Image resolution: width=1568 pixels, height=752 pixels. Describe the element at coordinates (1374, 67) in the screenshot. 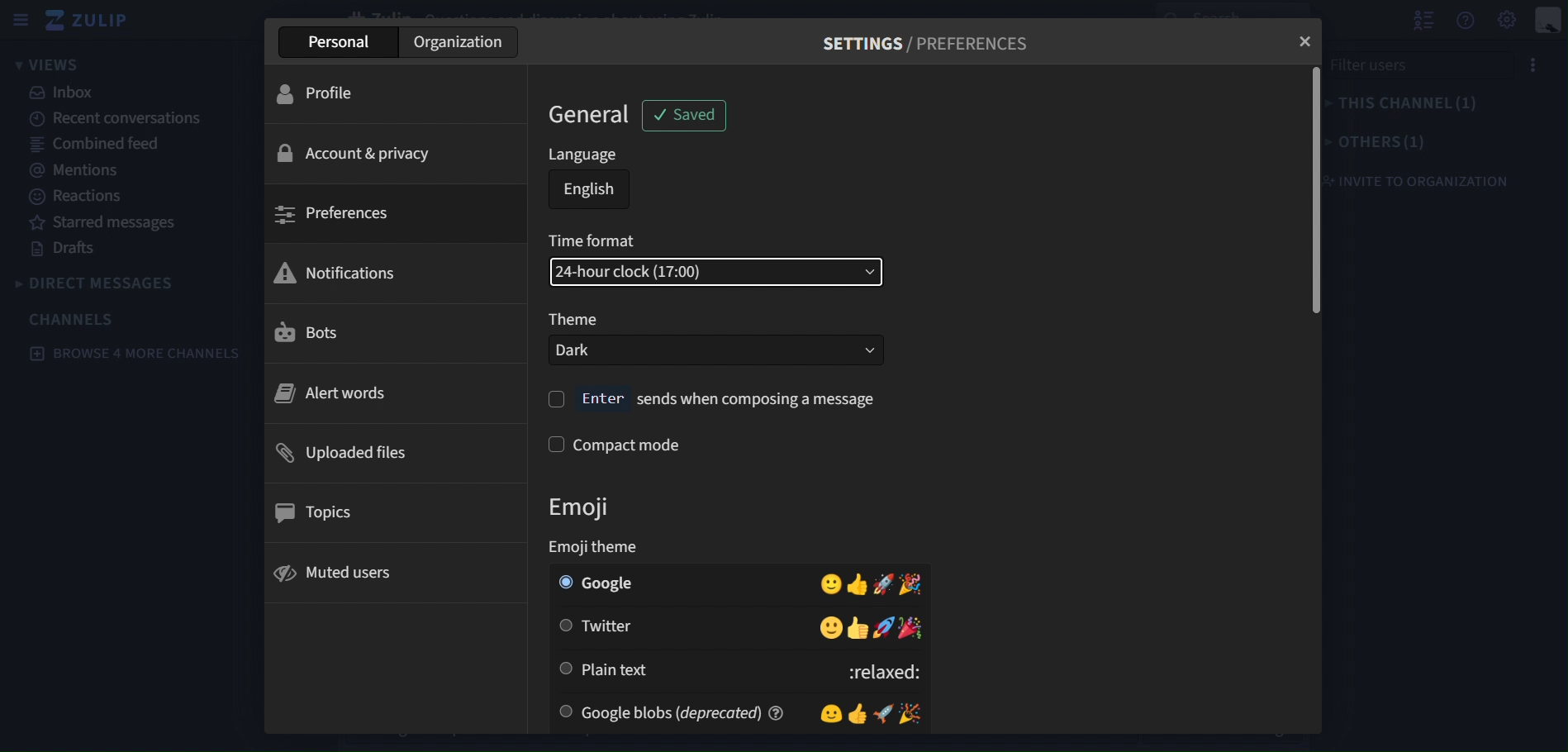

I see `filter users` at that location.